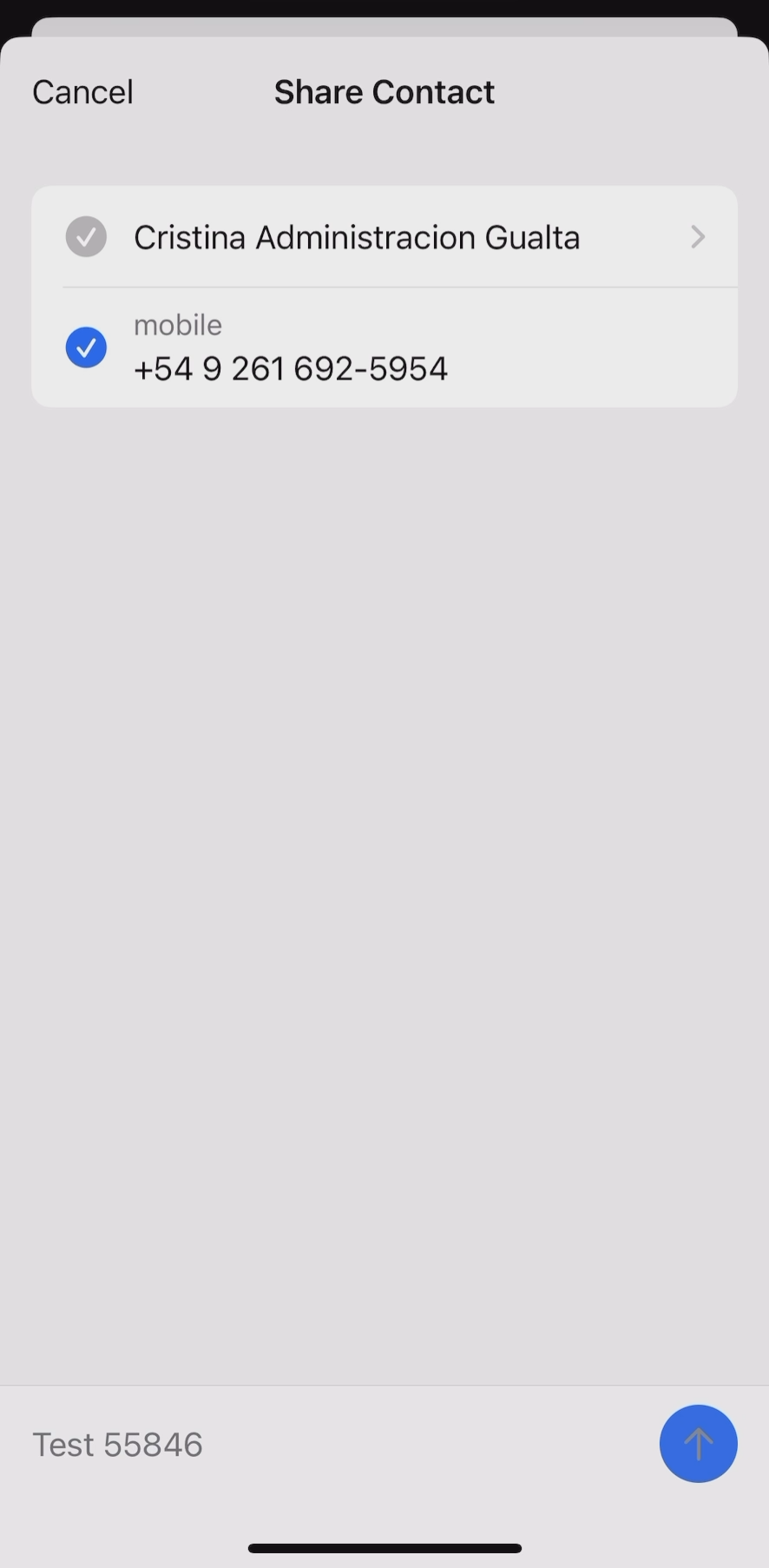  Describe the element at coordinates (119, 1449) in the screenshot. I see `Test 55846` at that location.